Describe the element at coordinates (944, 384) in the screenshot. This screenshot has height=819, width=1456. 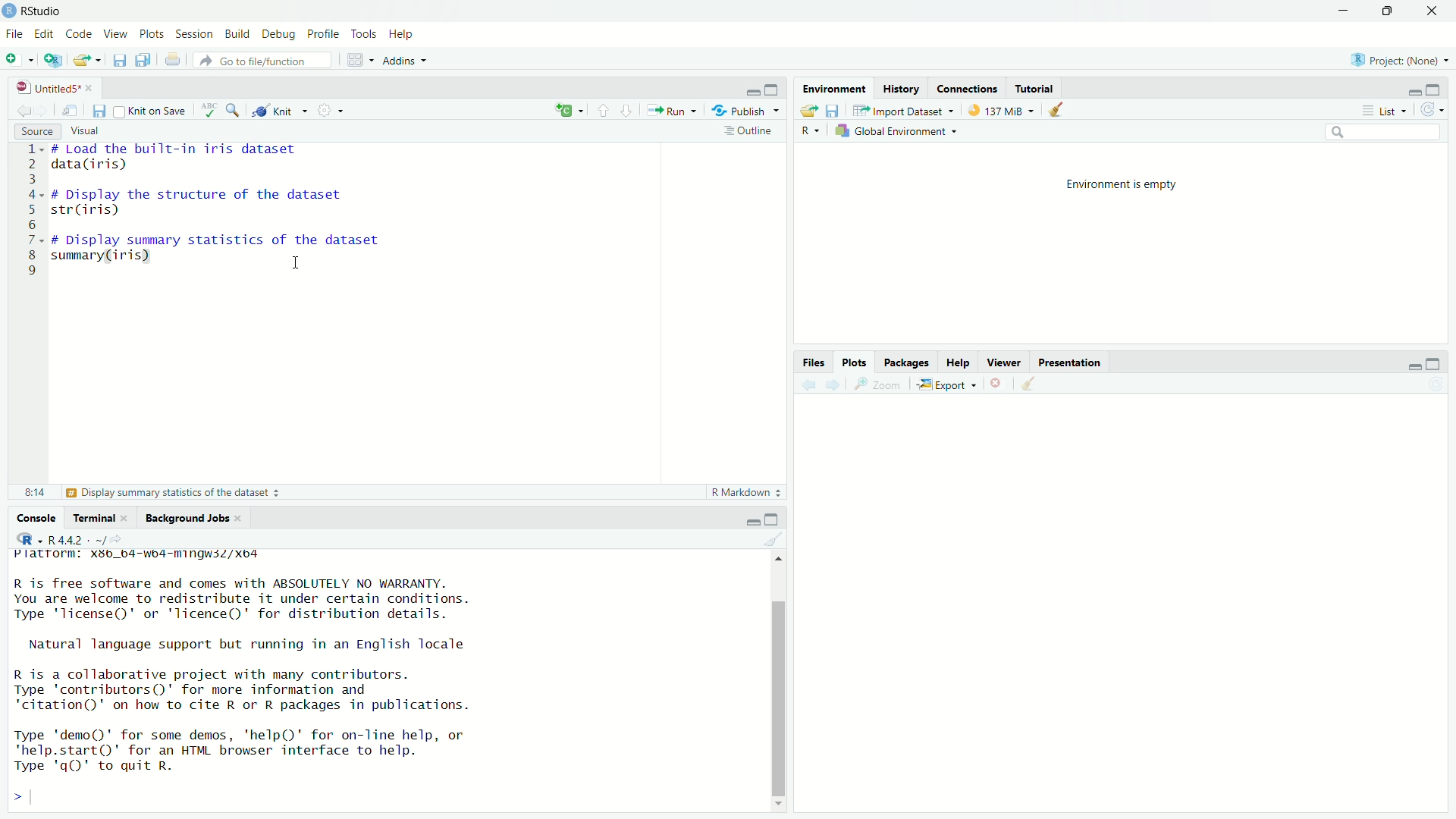
I see `Export` at that location.